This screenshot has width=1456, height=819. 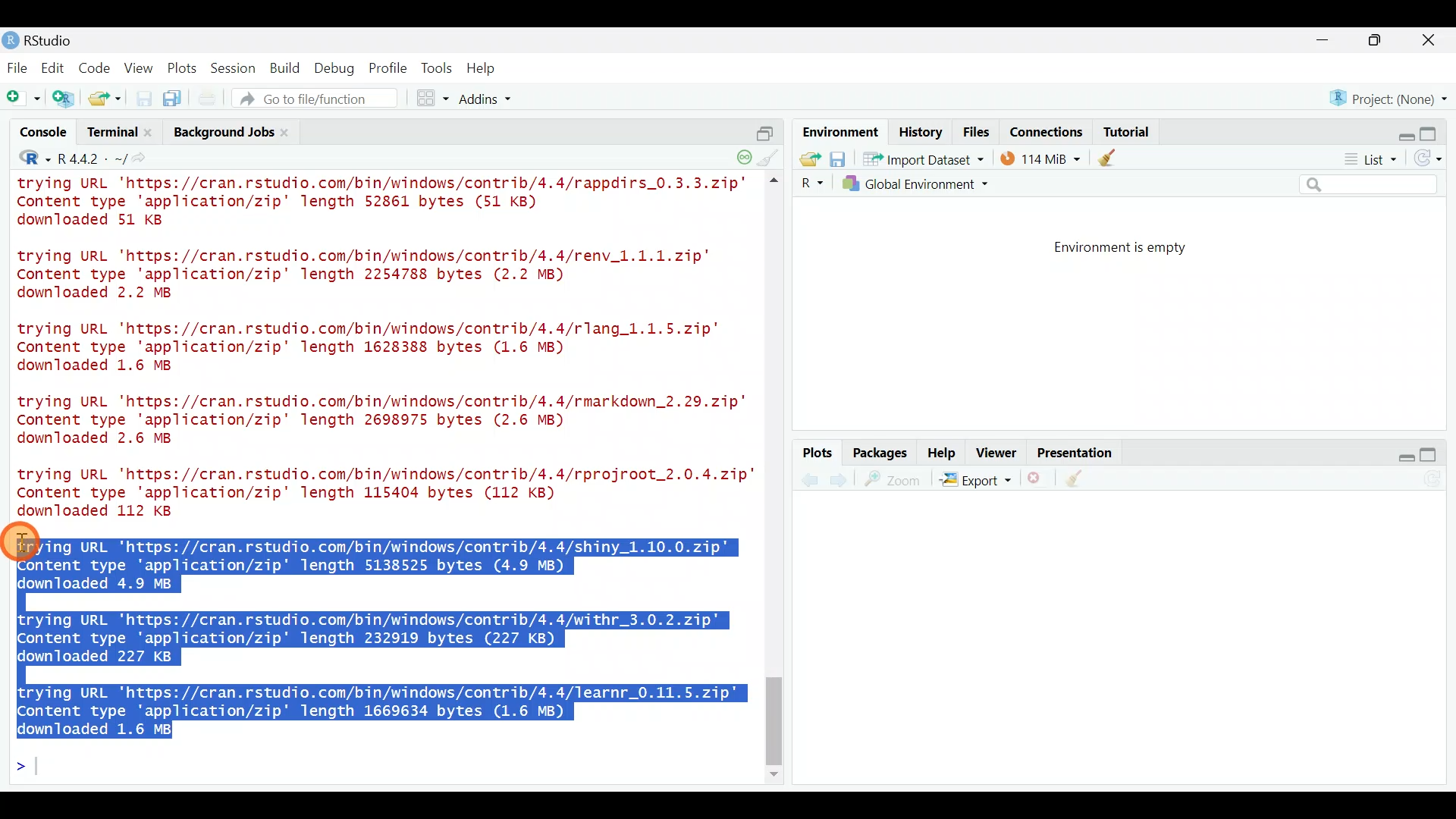 I want to click on * Import Dataset *, so click(x=919, y=159).